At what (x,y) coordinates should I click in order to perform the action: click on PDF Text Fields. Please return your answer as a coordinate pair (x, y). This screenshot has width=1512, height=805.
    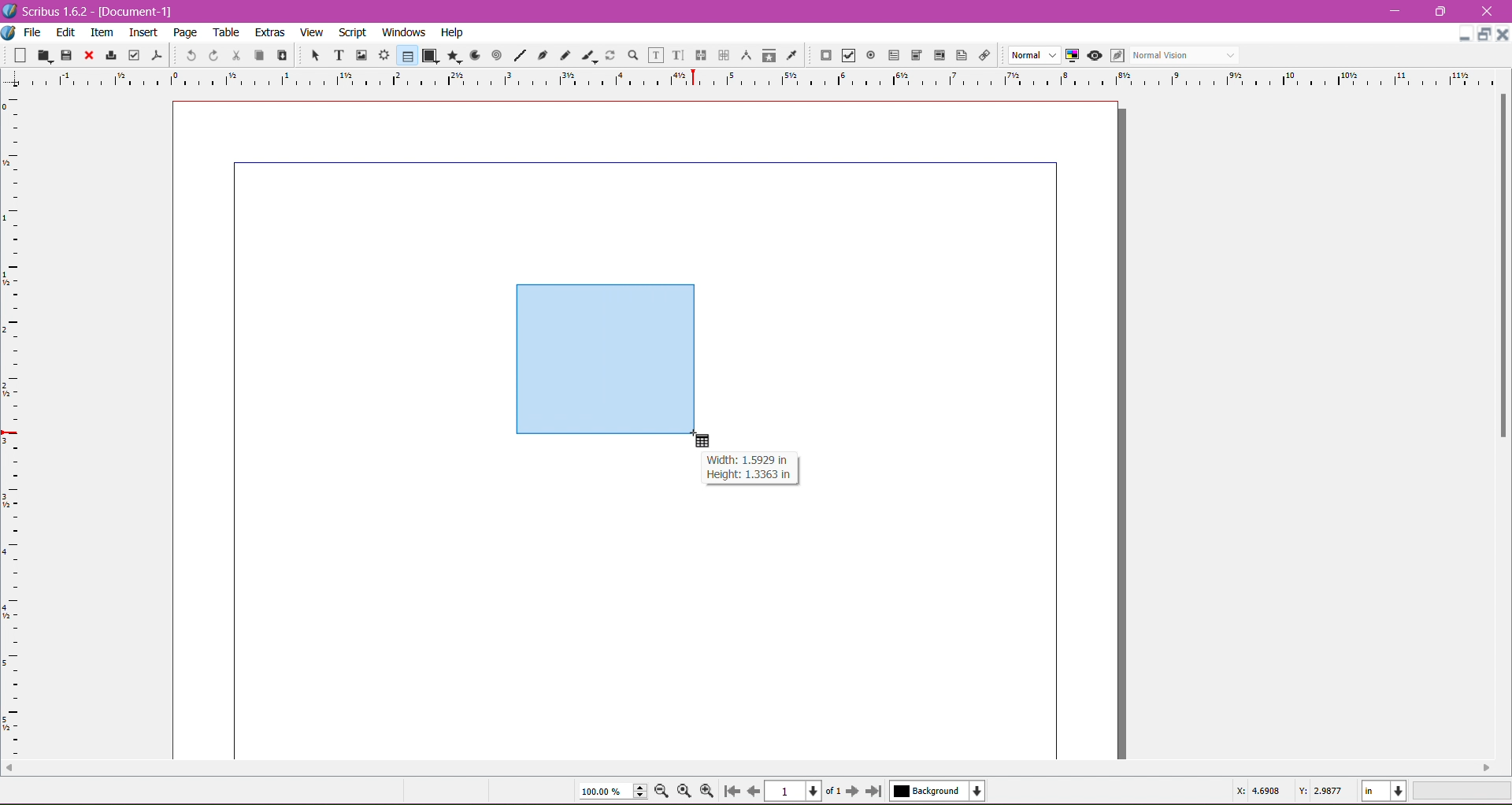
    Looking at the image, I should click on (891, 56).